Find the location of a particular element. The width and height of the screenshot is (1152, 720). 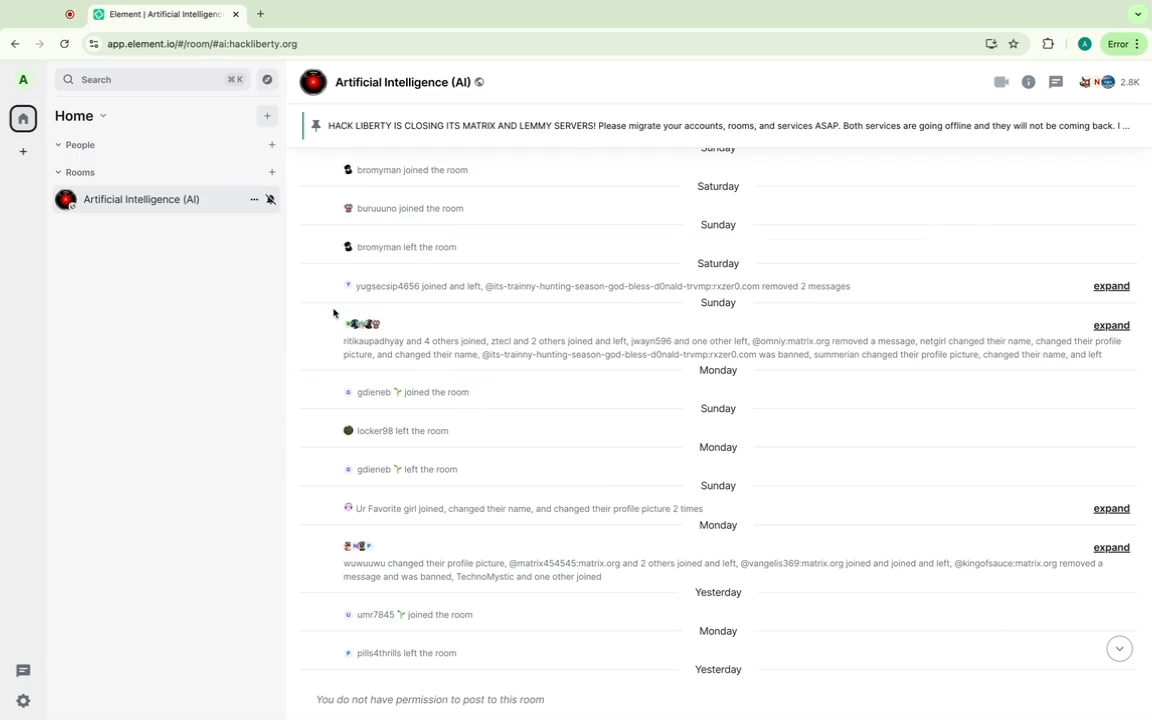

Video is located at coordinates (998, 82).